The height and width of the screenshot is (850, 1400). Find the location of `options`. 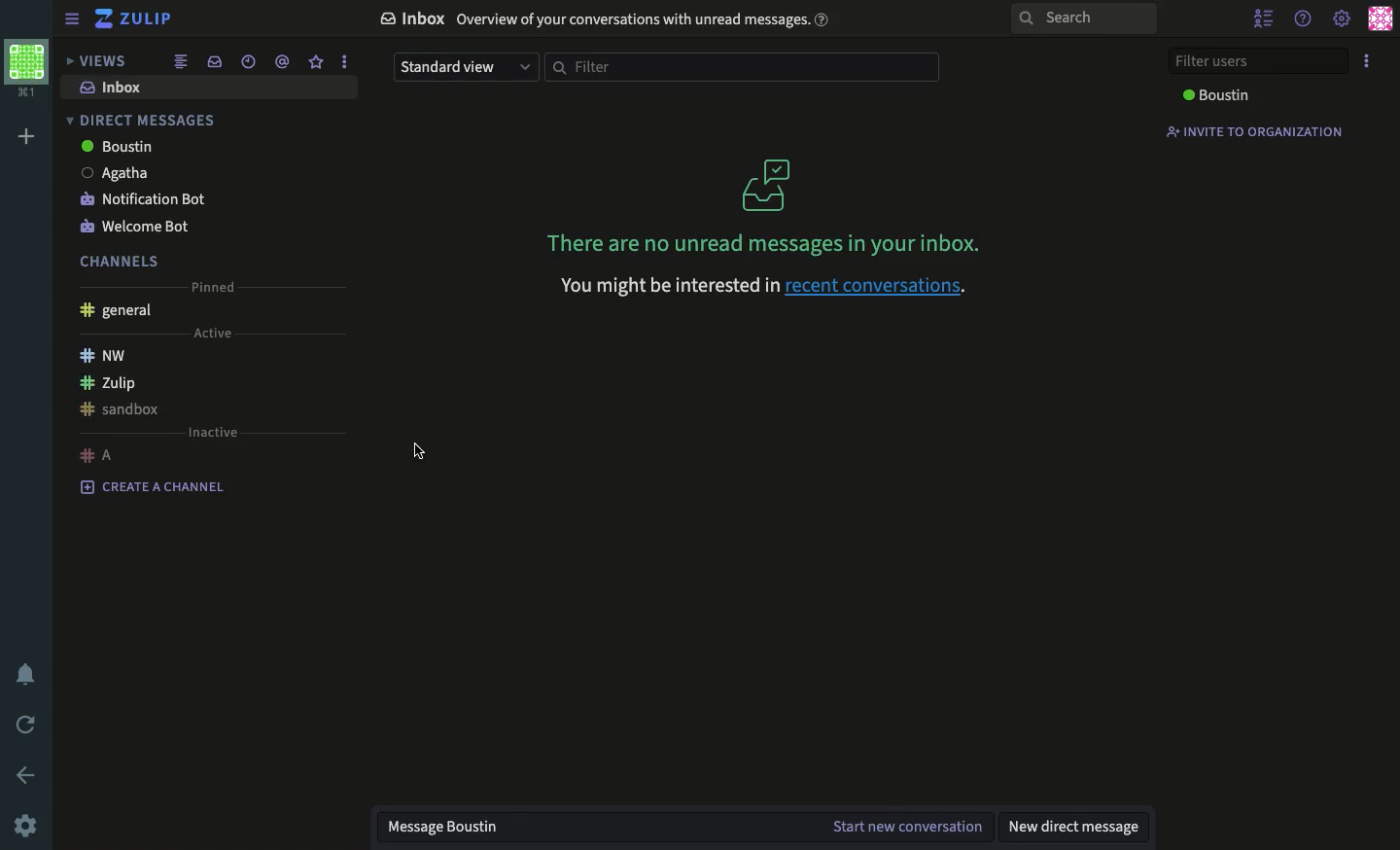

options is located at coordinates (1365, 61).